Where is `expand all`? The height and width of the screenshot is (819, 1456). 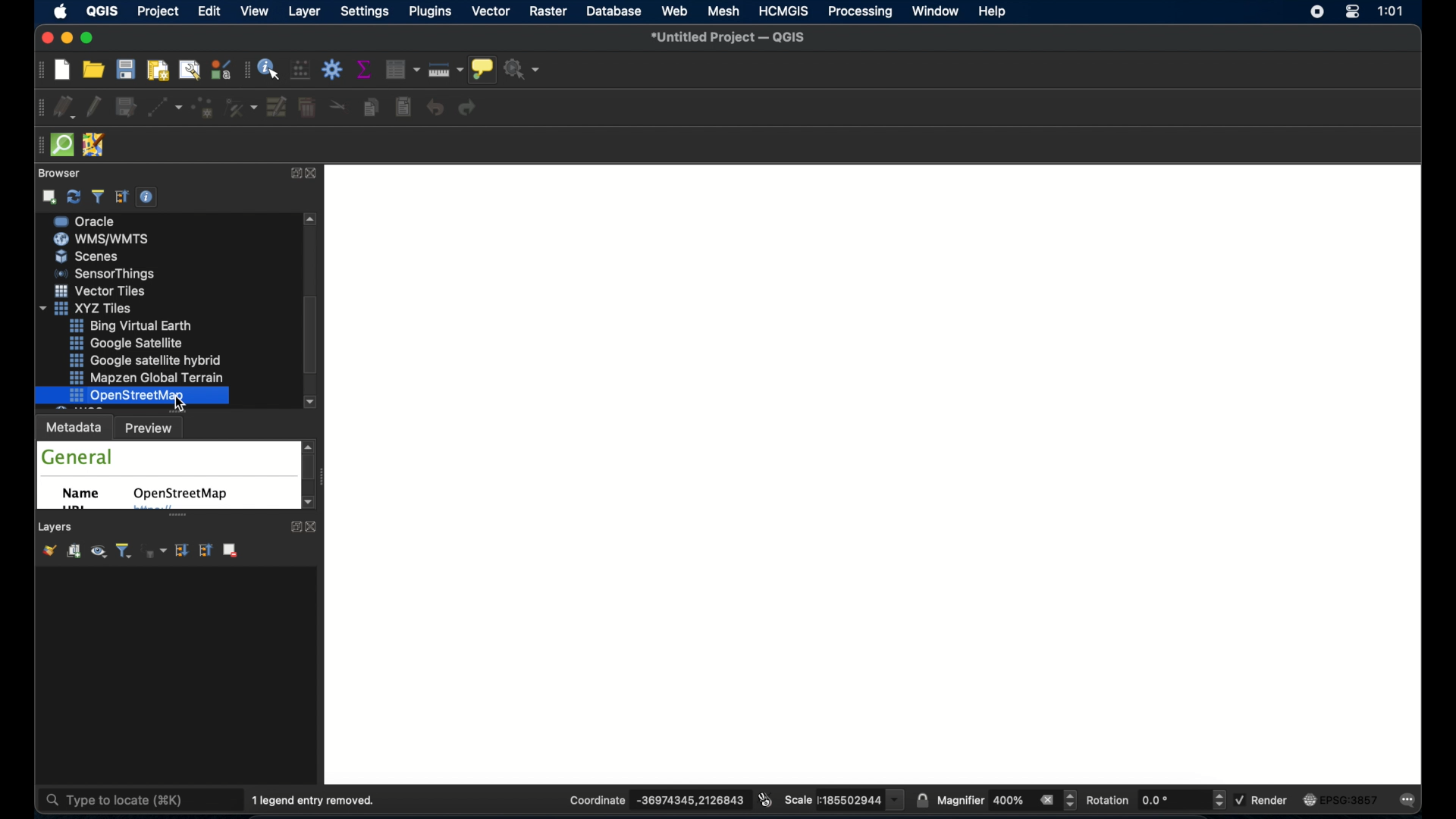
expand all is located at coordinates (182, 551).